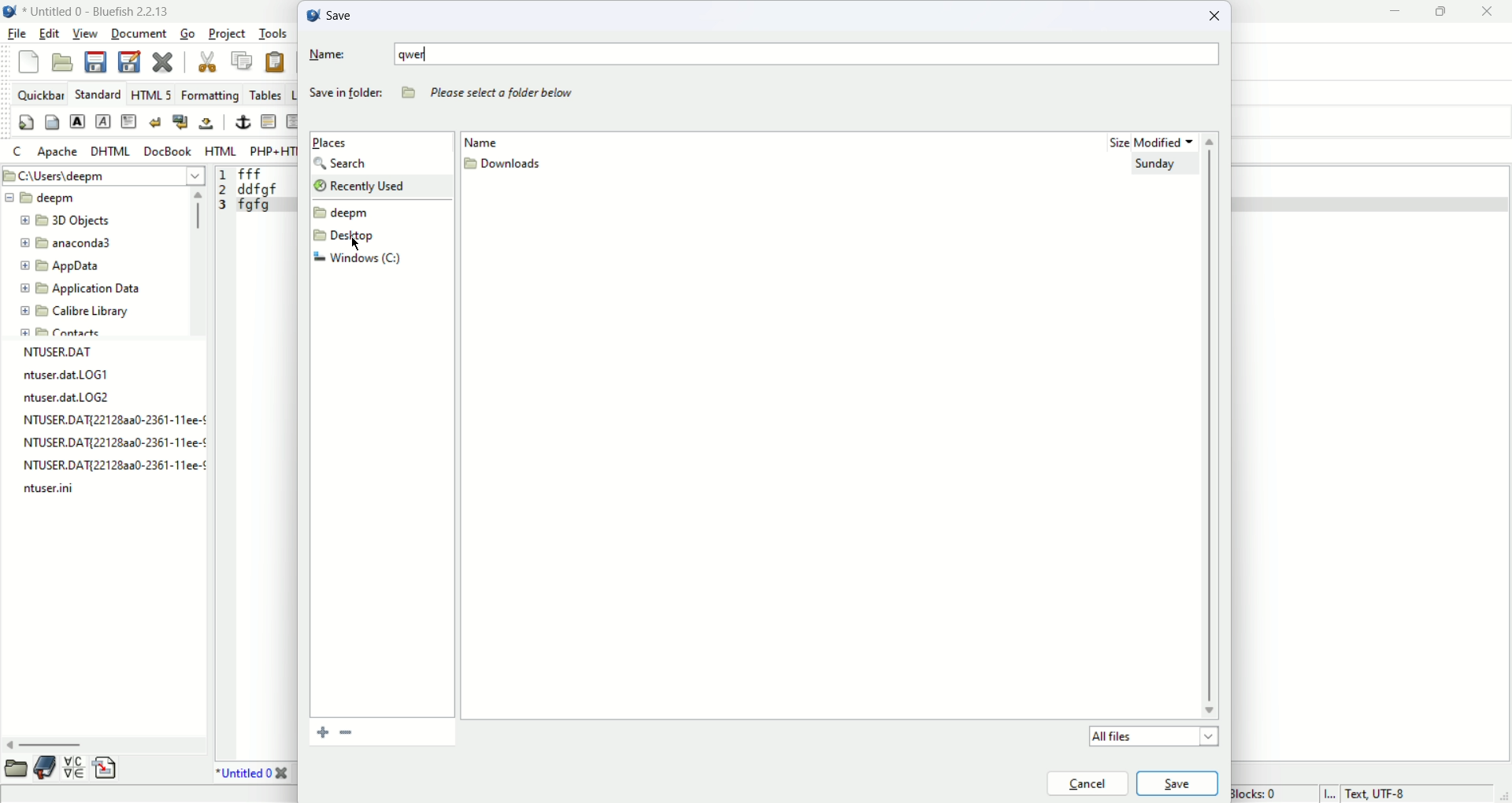 Image resolution: width=1512 pixels, height=803 pixels. What do you see at coordinates (95, 61) in the screenshot?
I see `save current file` at bounding box center [95, 61].